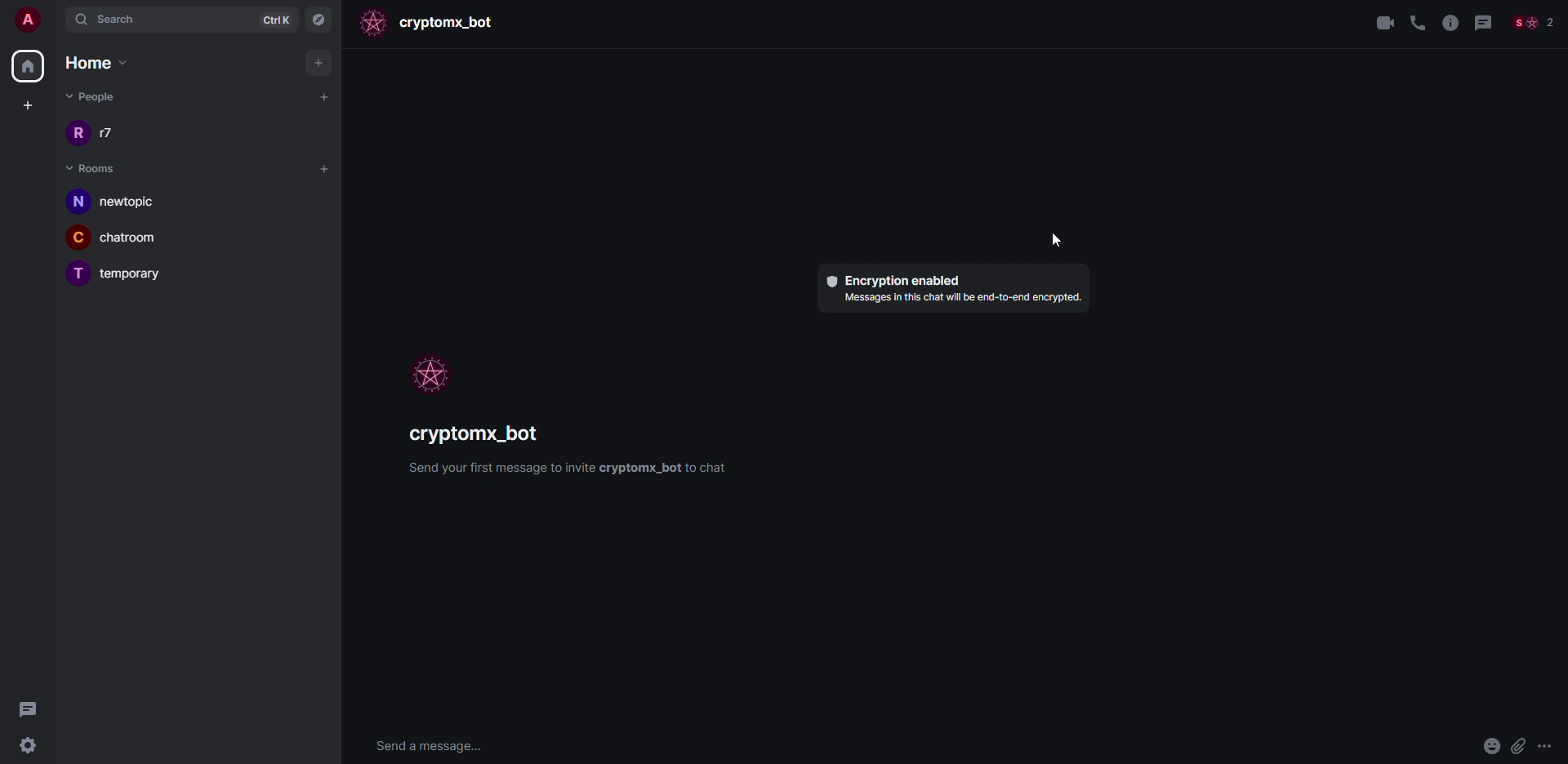 This screenshot has width=1568, height=764. Describe the element at coordinates (79, 202) in the screenshot. I see `n` at that location.